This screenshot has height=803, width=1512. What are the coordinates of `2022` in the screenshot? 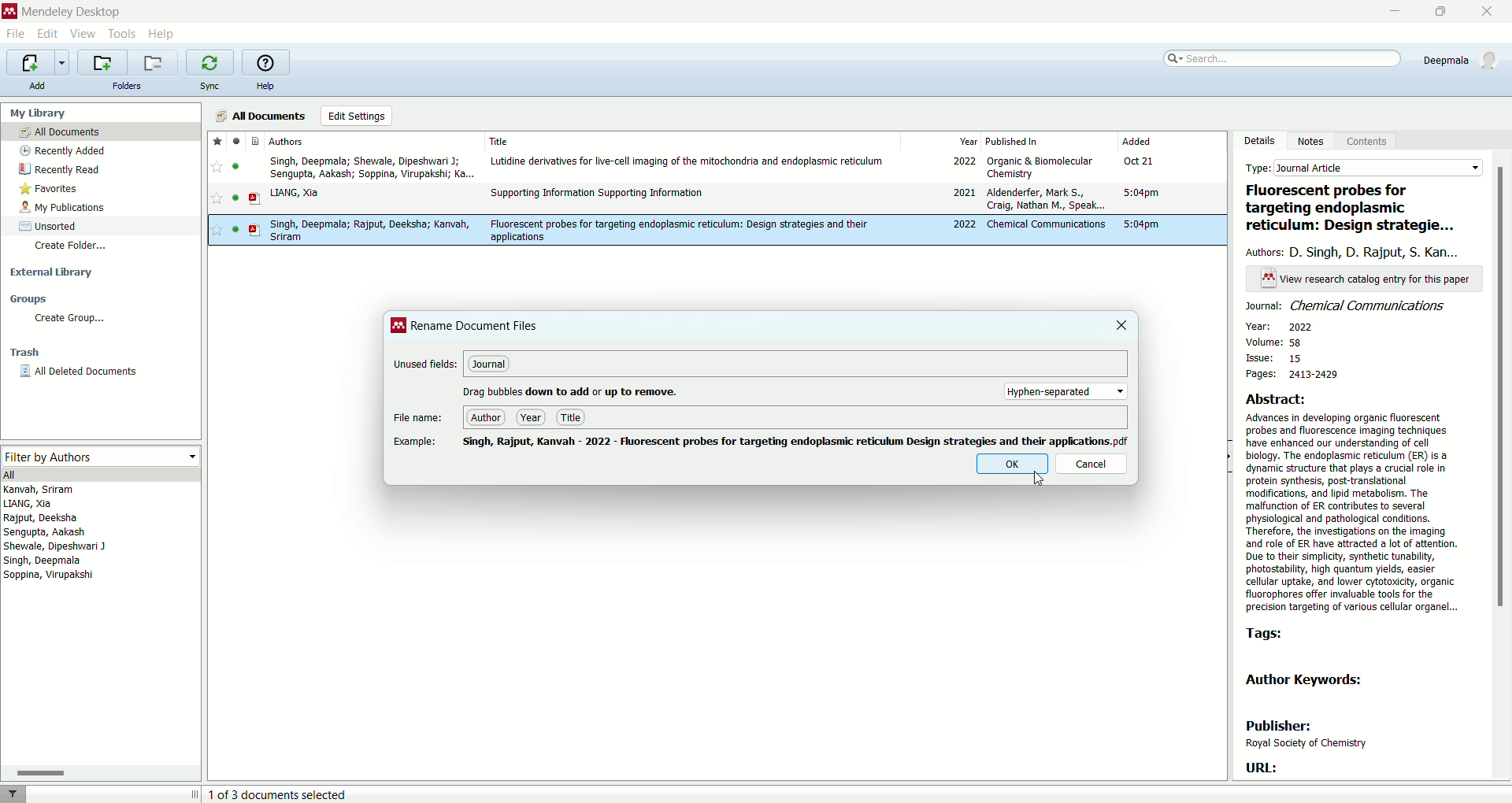 It's located at (965, 225).